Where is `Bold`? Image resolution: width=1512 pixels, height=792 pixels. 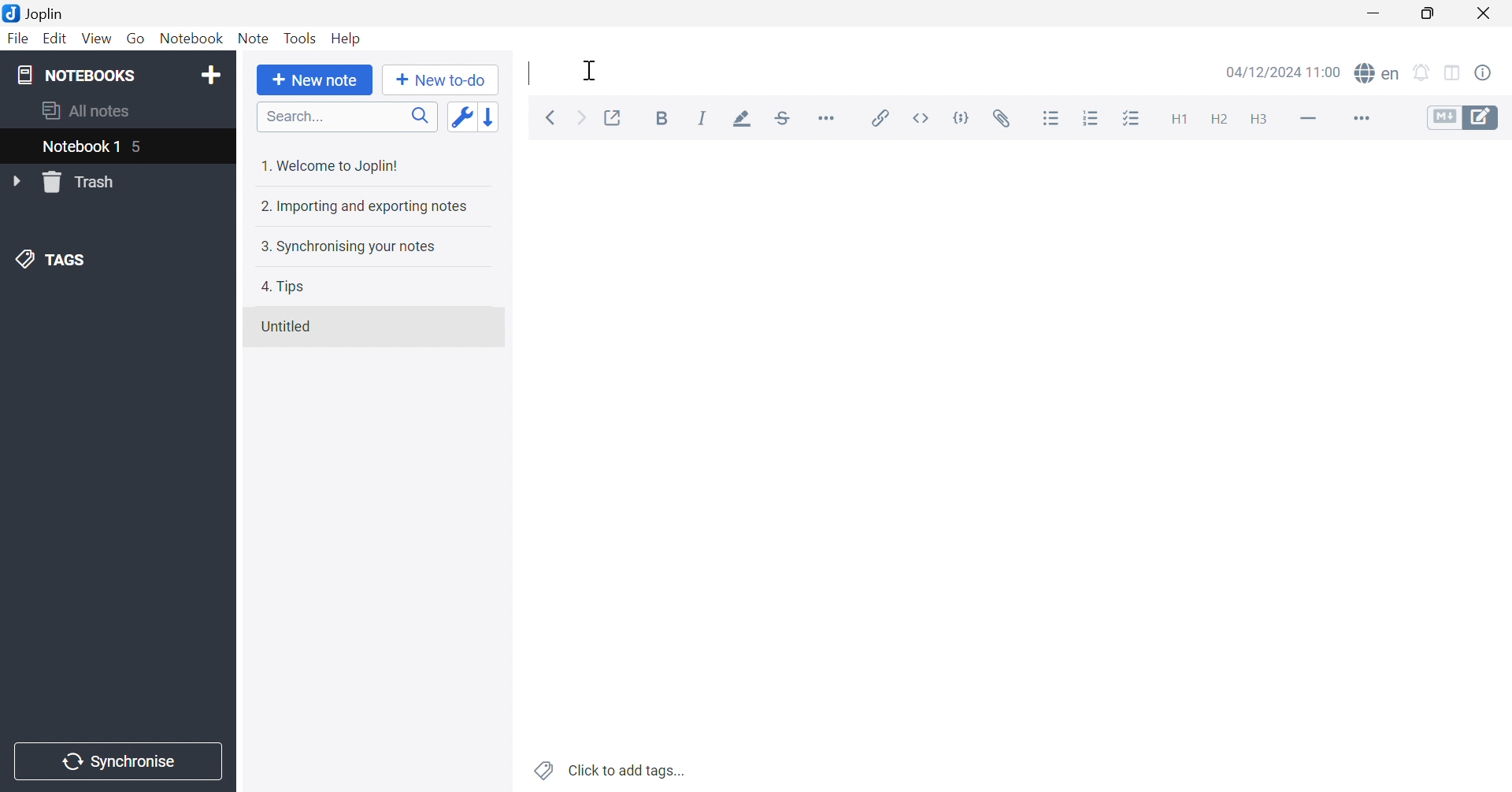
Bold is located at coordinates (665, 120).